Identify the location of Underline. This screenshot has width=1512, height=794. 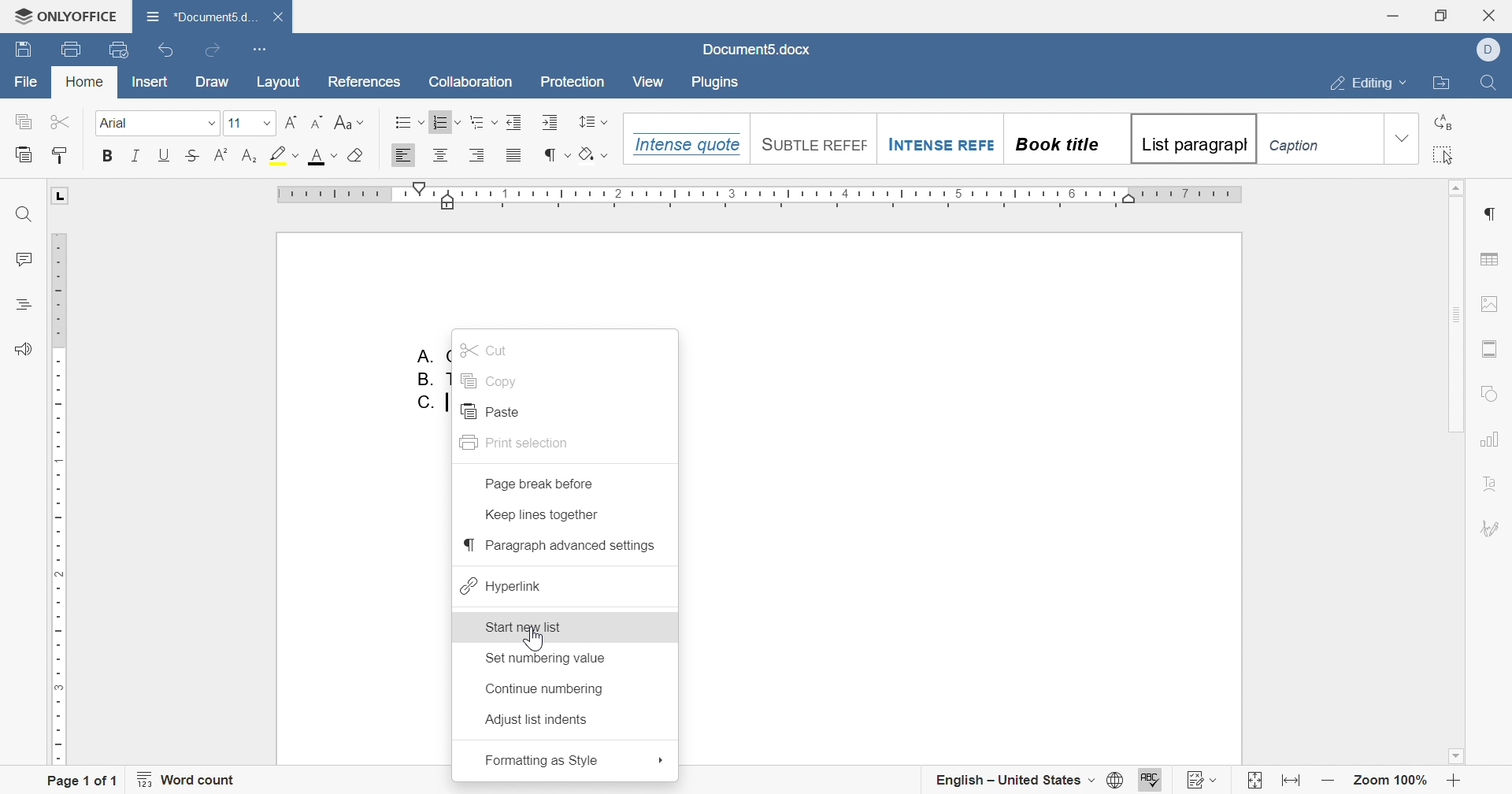
(164, 155).